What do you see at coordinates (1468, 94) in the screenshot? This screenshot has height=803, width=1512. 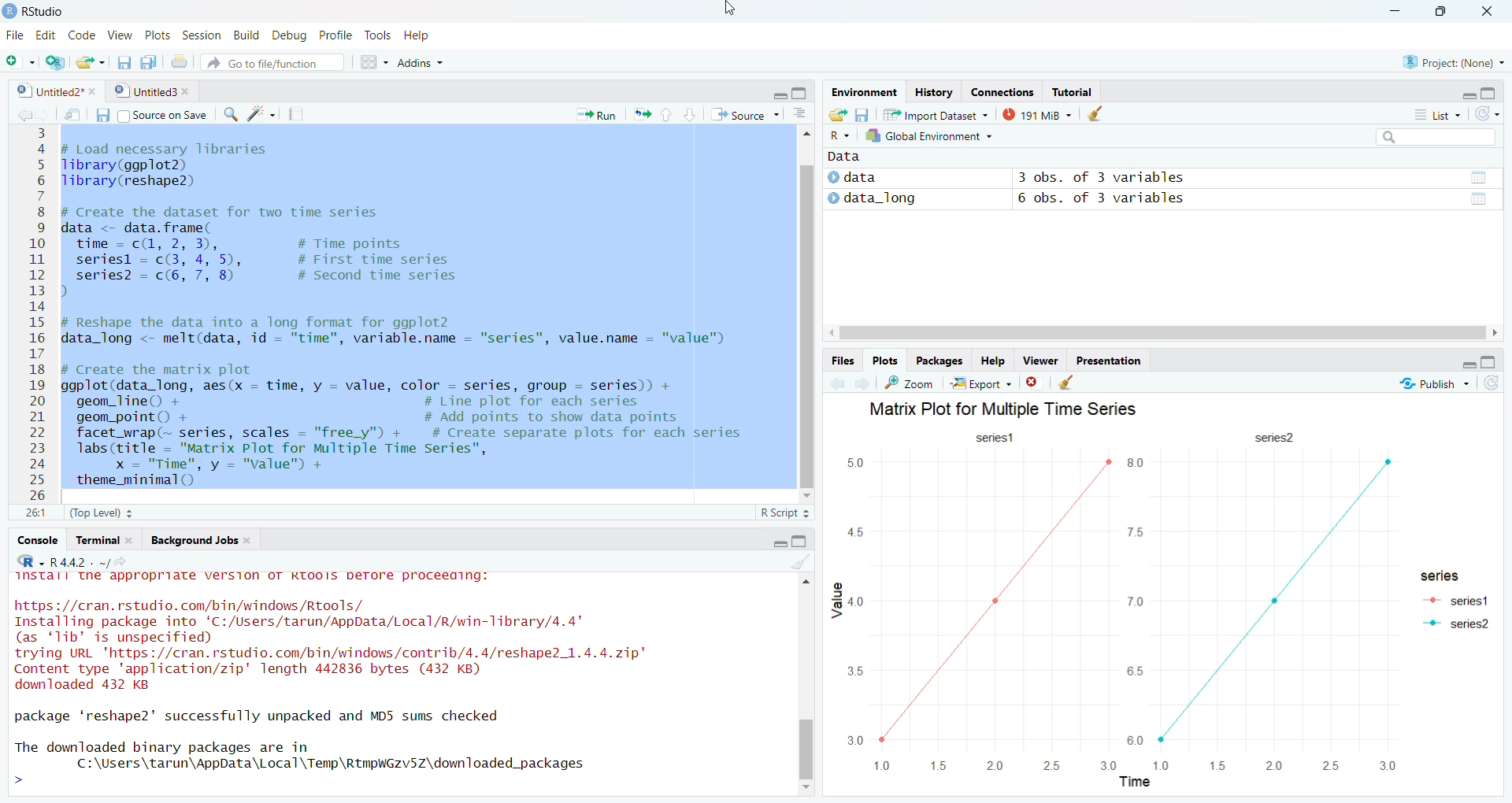 I see `minimize` at bounding box center [1468, 94].